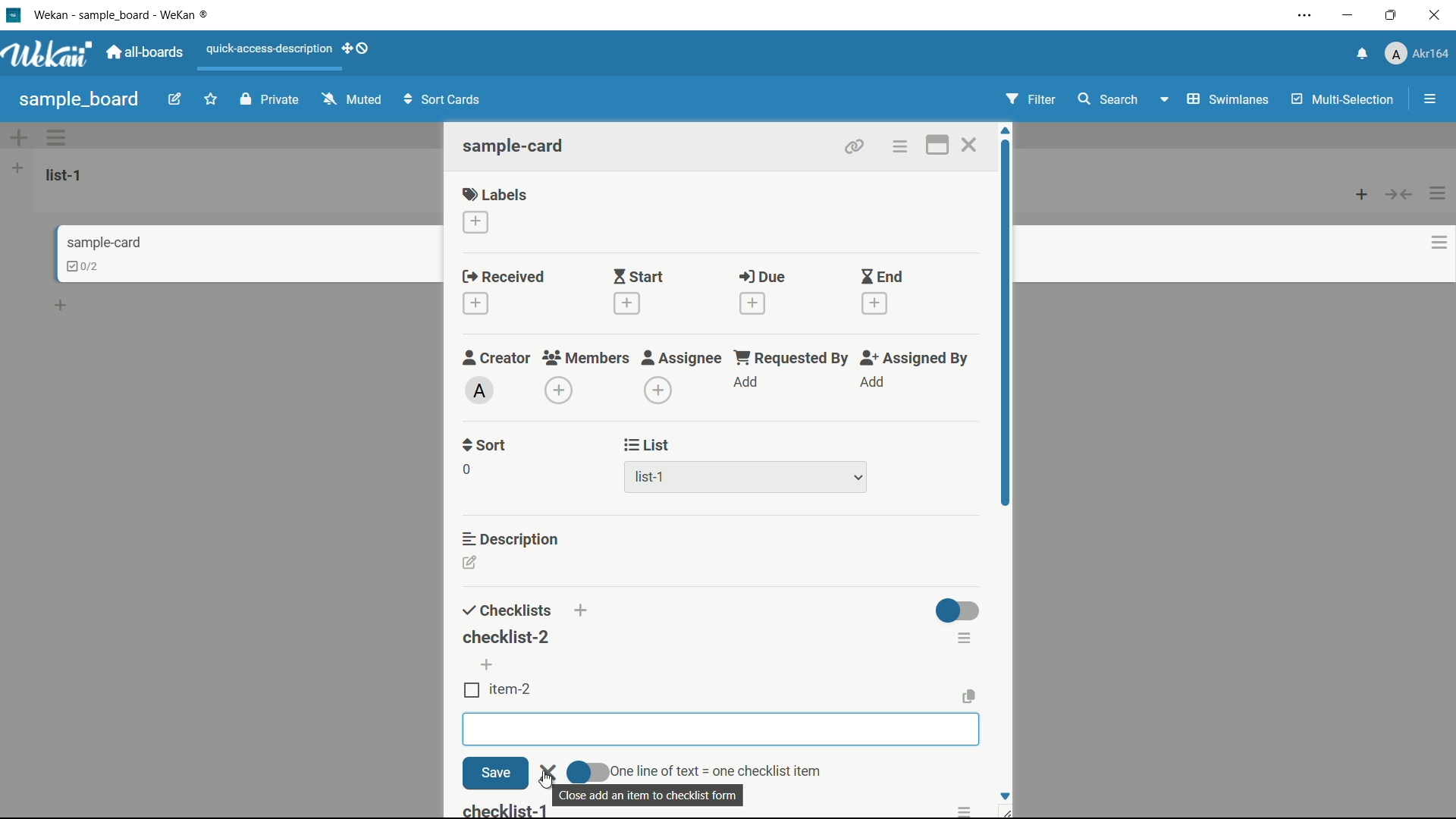 This screenshot has width=1456, height=819. Describe the element at coordinates (717, 767) in the screenshot. I see `text` at that location.